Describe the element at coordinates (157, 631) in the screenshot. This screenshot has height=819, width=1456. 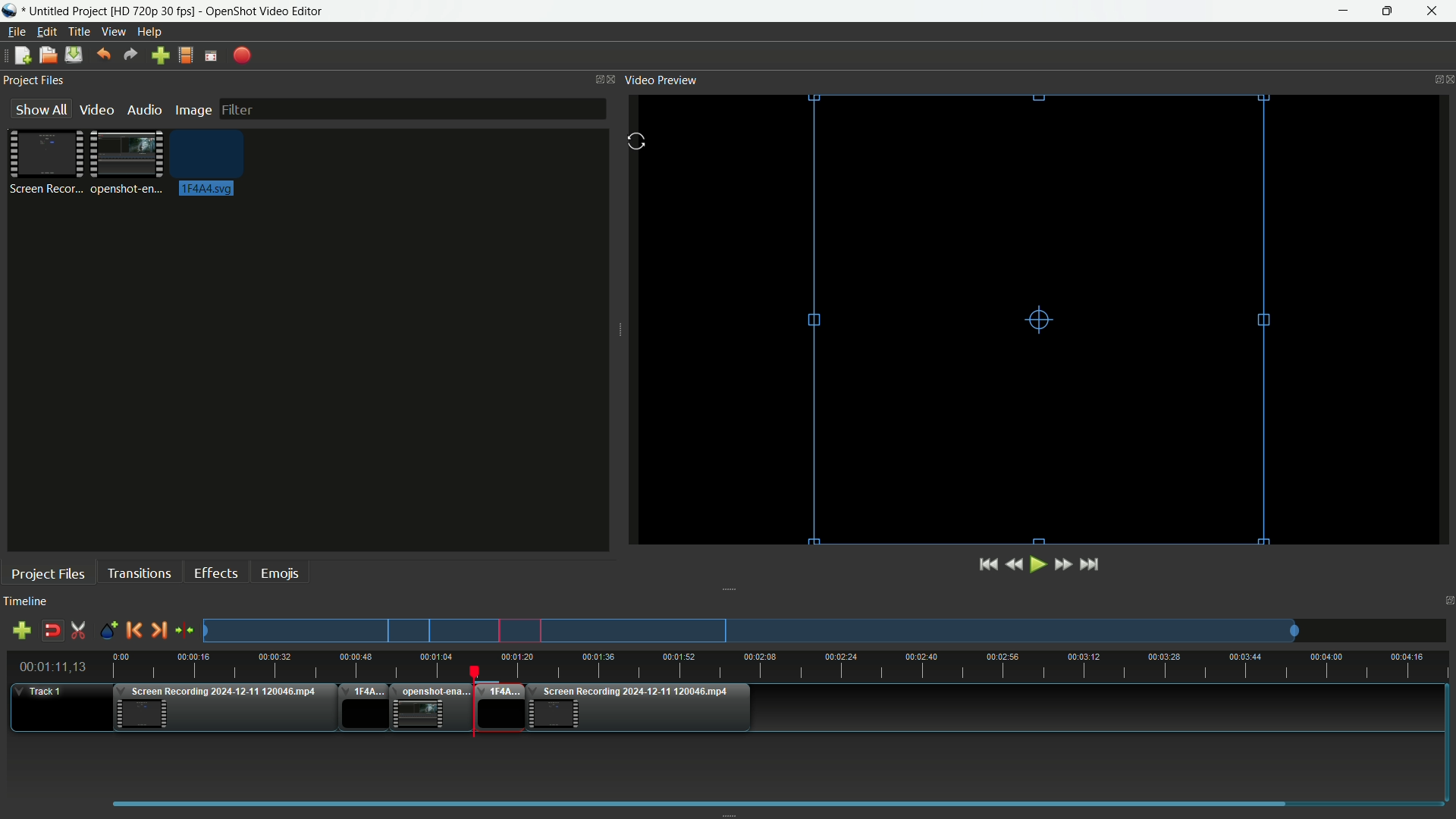
I see `Next marker` at that location.